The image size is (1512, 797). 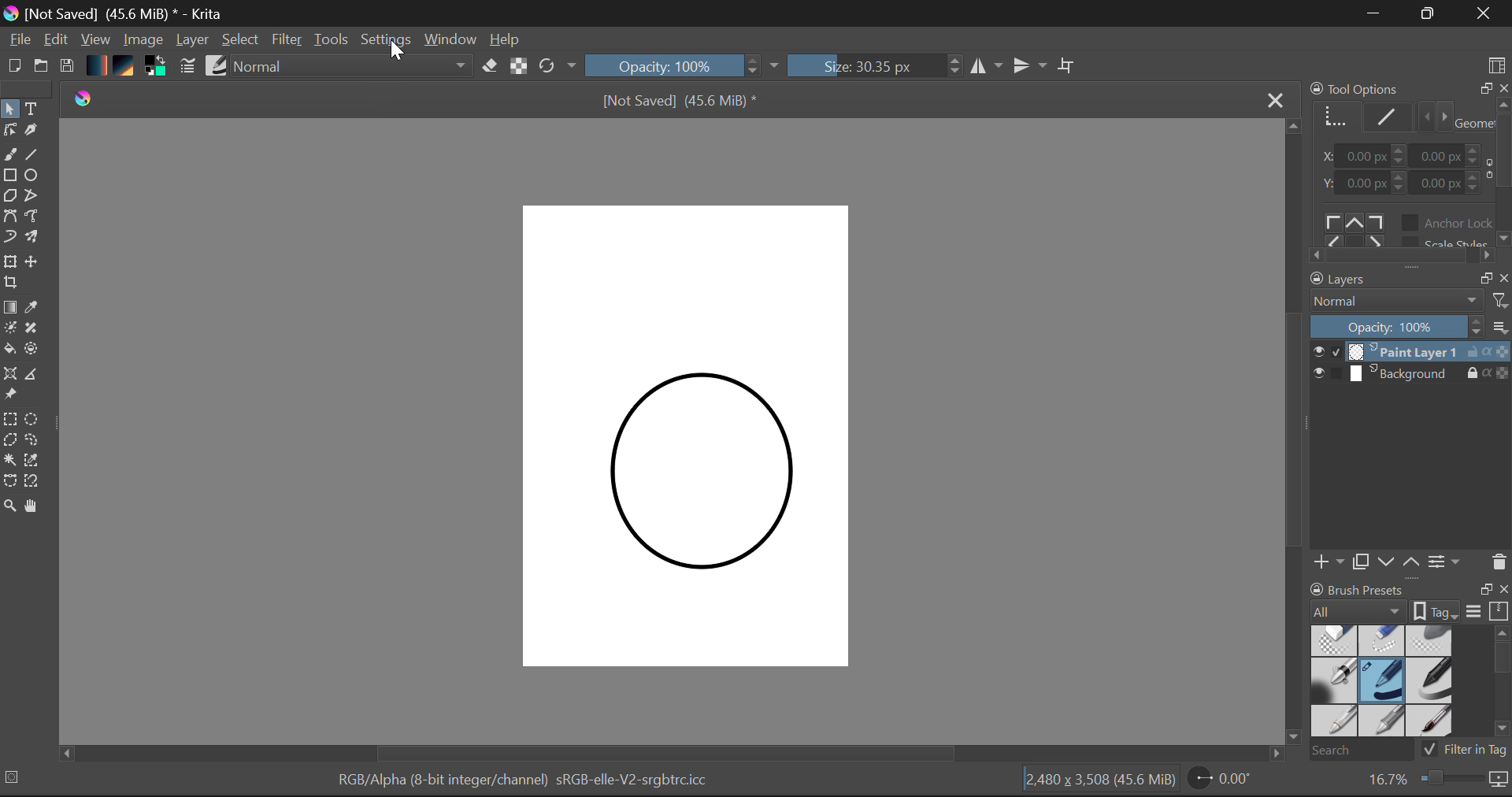 What do you see at coordinates (241, 40) in the screenshot?
I see `Select` at bounding box center [241, 40].